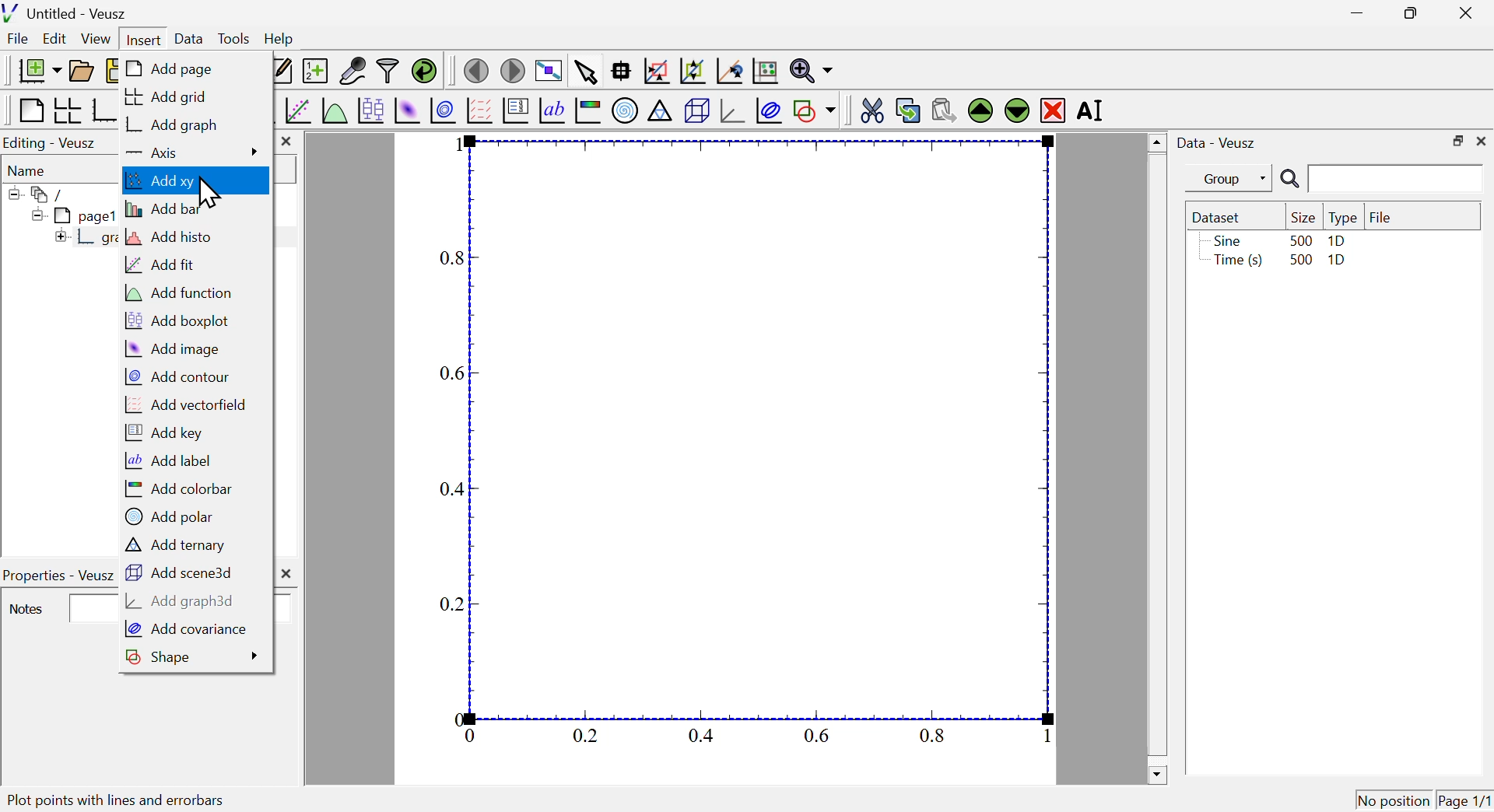  I want to click on copy the selected widget, so click(908, 109).